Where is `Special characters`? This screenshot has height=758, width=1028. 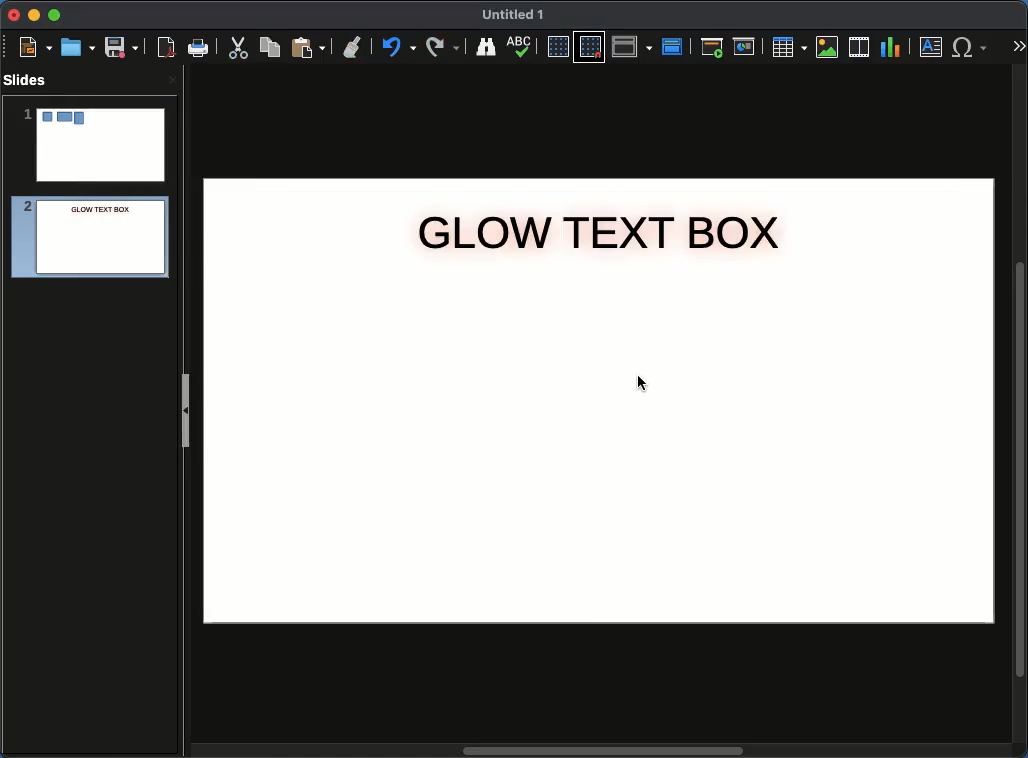 Special characters is located at coordinates (974, 47).